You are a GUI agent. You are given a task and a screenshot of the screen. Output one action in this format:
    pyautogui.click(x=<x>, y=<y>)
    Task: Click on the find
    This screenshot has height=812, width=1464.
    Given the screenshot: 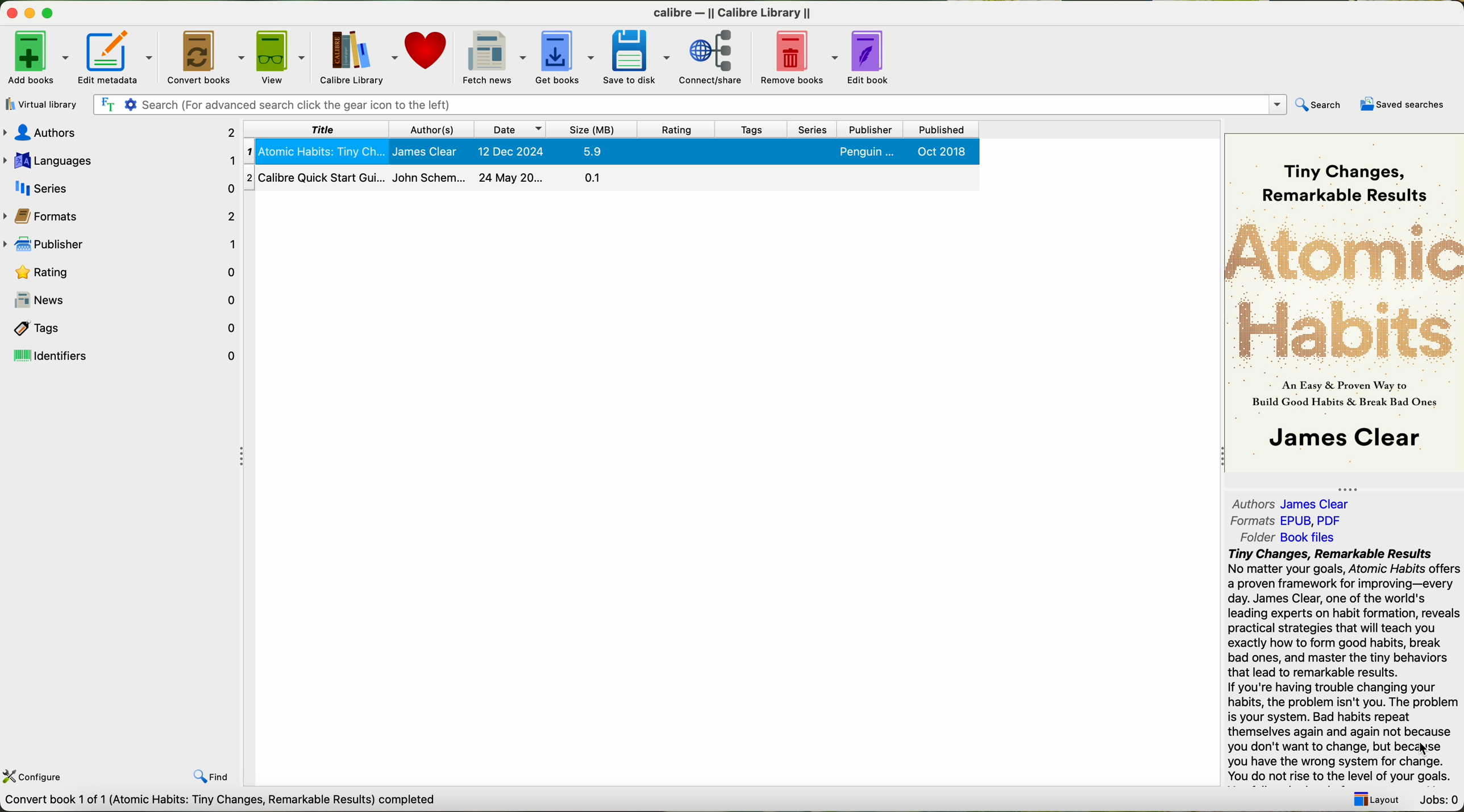 What is the action you would take?
    pyautogui.click(x=211, y=776)
    